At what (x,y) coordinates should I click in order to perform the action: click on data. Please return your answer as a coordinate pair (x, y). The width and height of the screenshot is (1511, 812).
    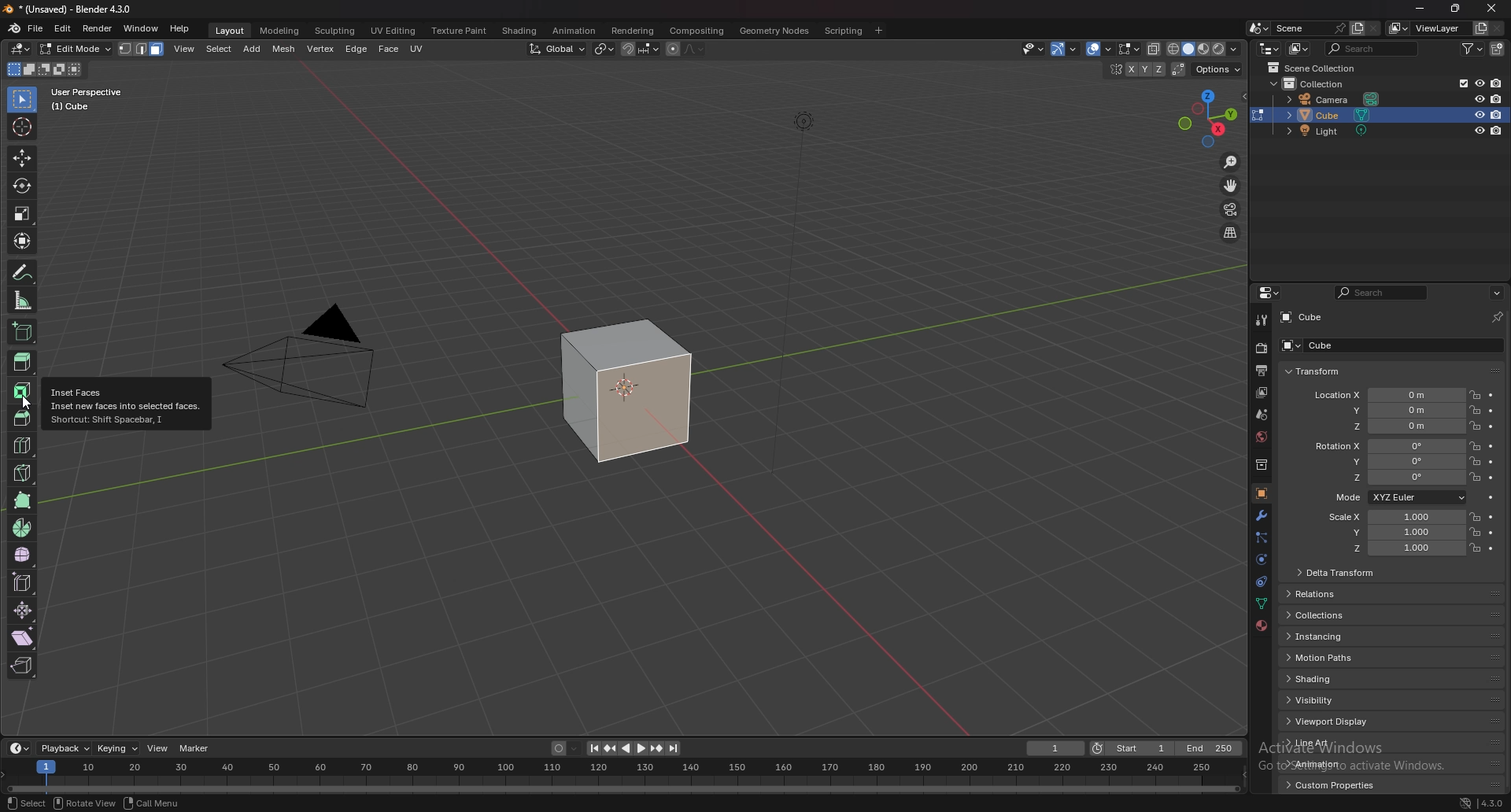
    Looking at the image, I should click on (1260, 605).